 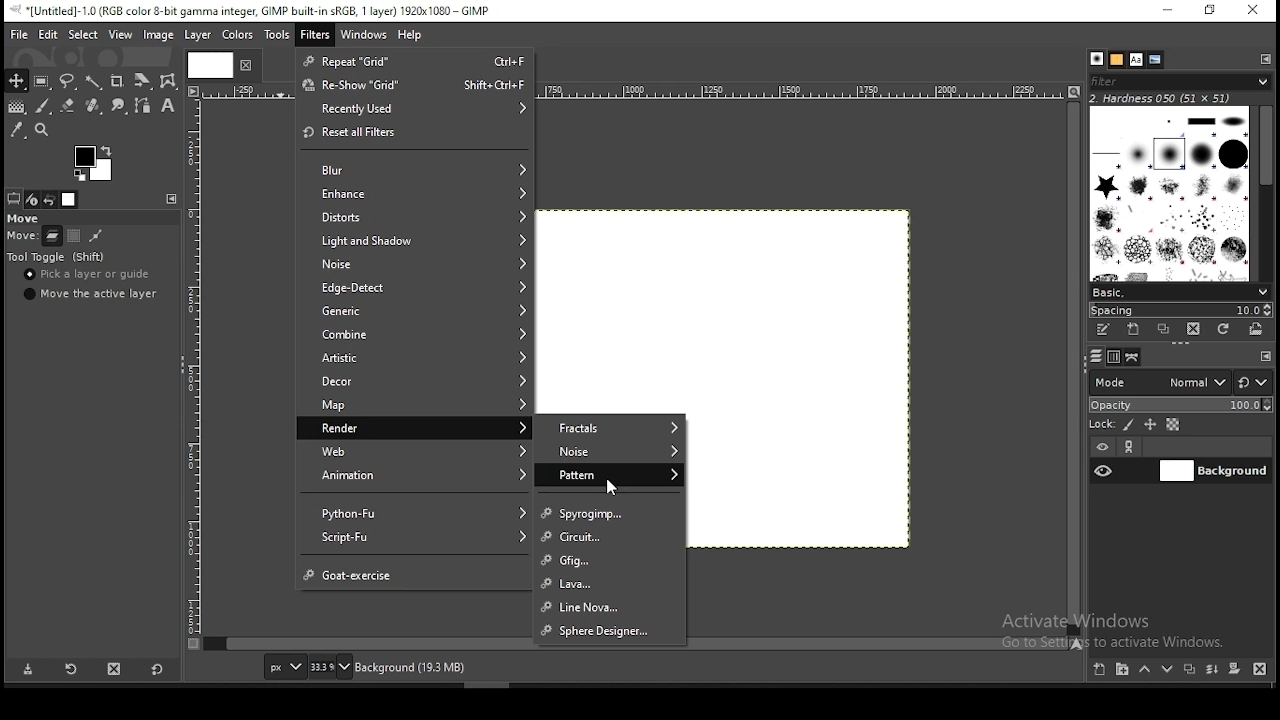 I want to click on zoom tool, so click(x=48, y=130).